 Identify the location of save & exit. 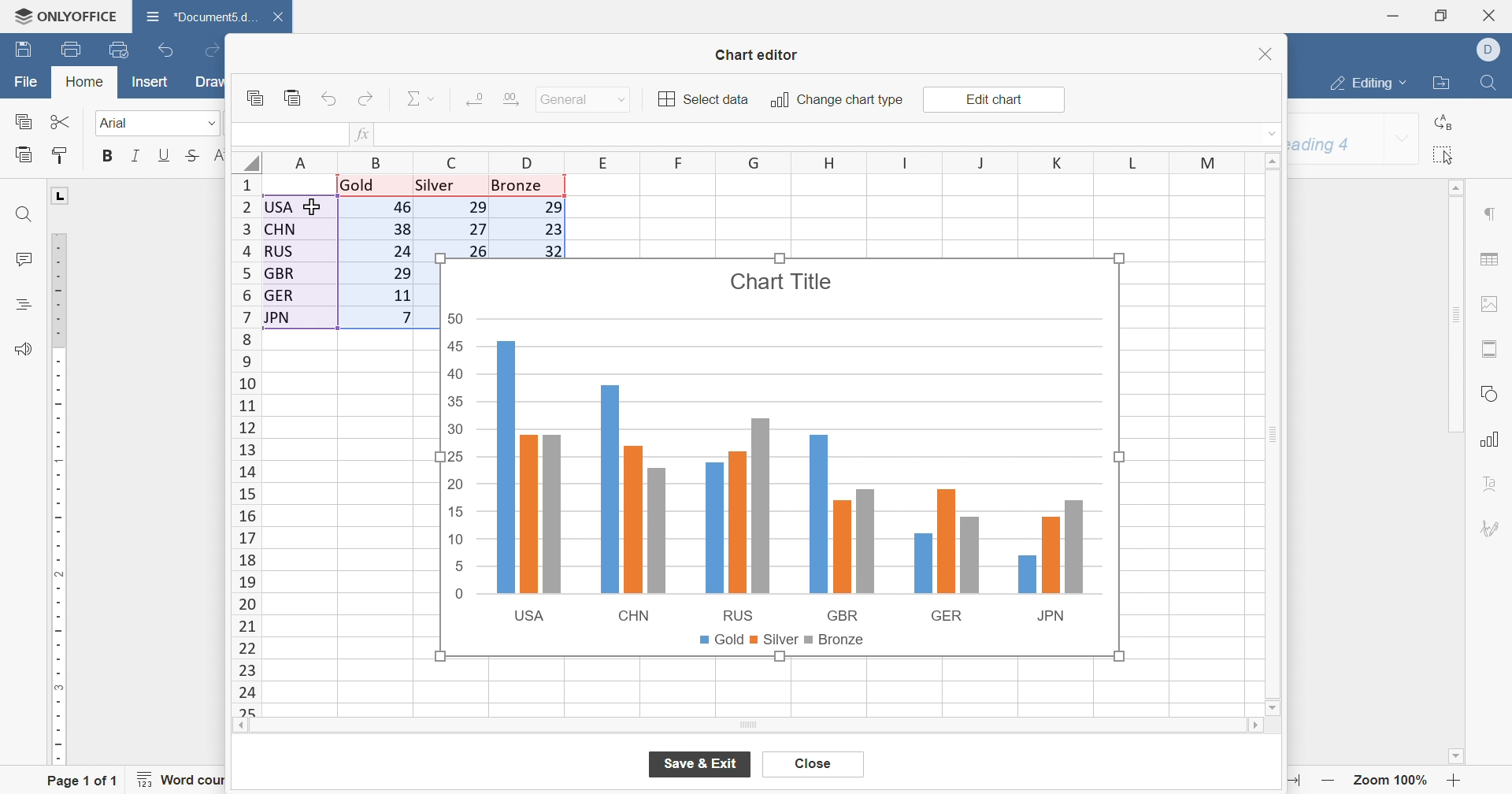
(702, 763).